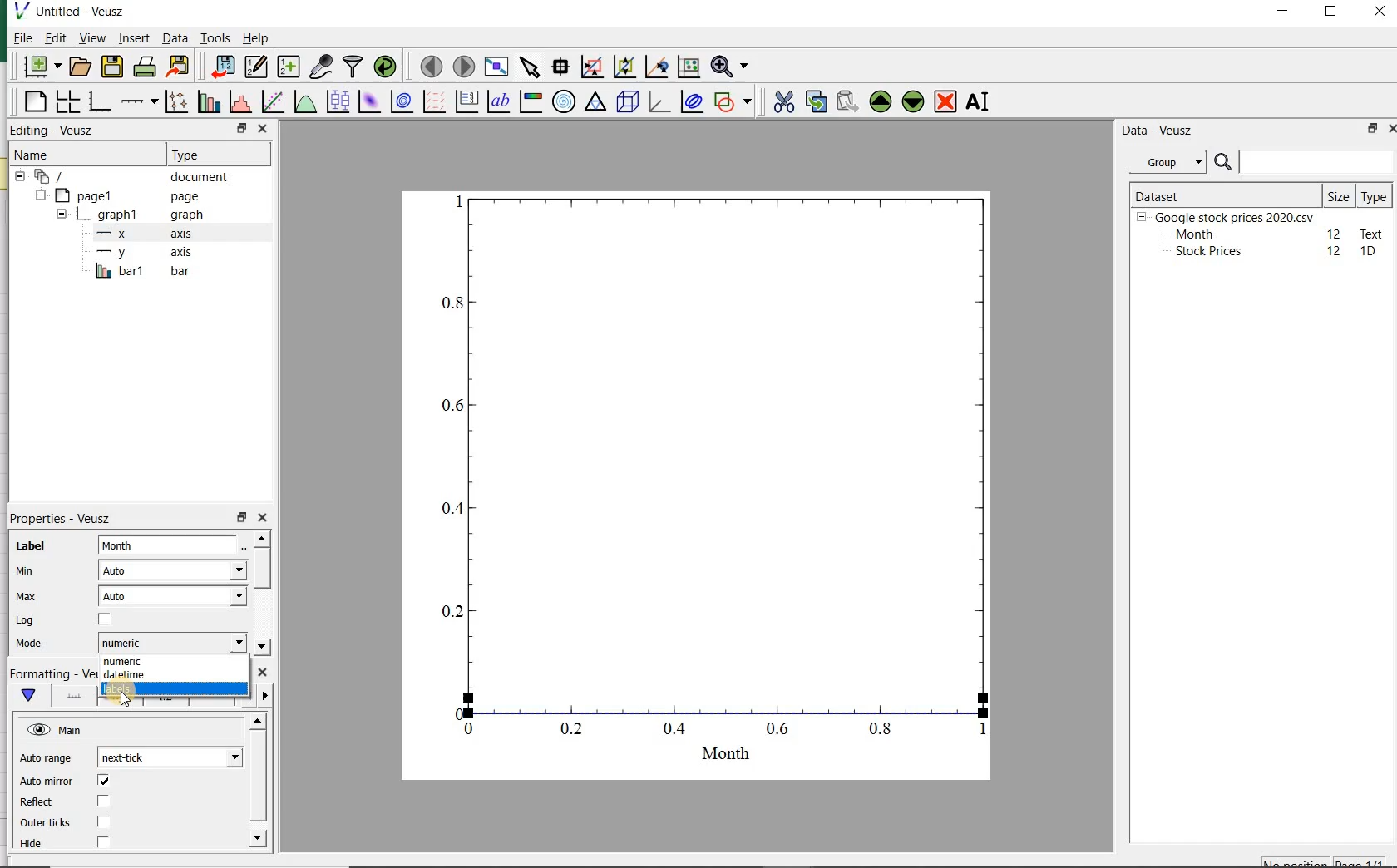 This screenshot has width=1397, height=868. What do you see at coordinates (388, 67) in the screenshot?
I see `reload linked datasets` at bounding box center [388, 67].